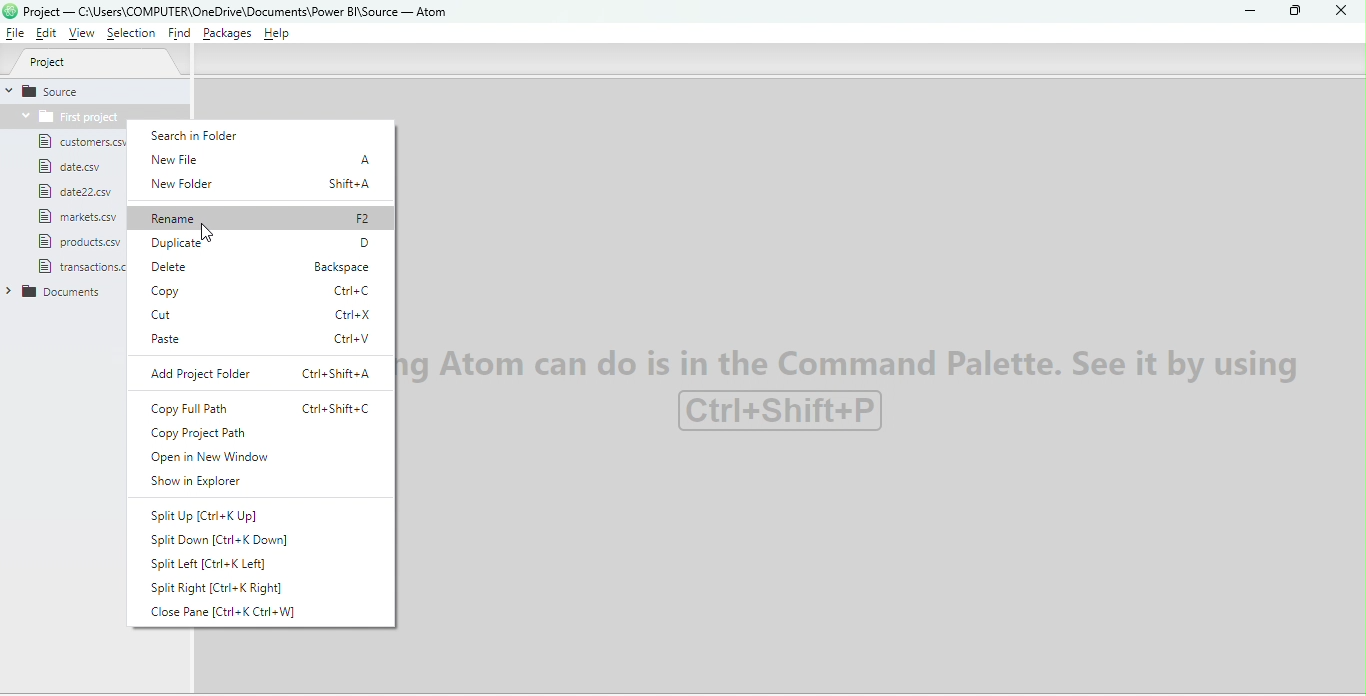  What do you see at coordinates (212, 483) in the screenshot?
I see `Show in explorer` at bounding box center [212, 483].